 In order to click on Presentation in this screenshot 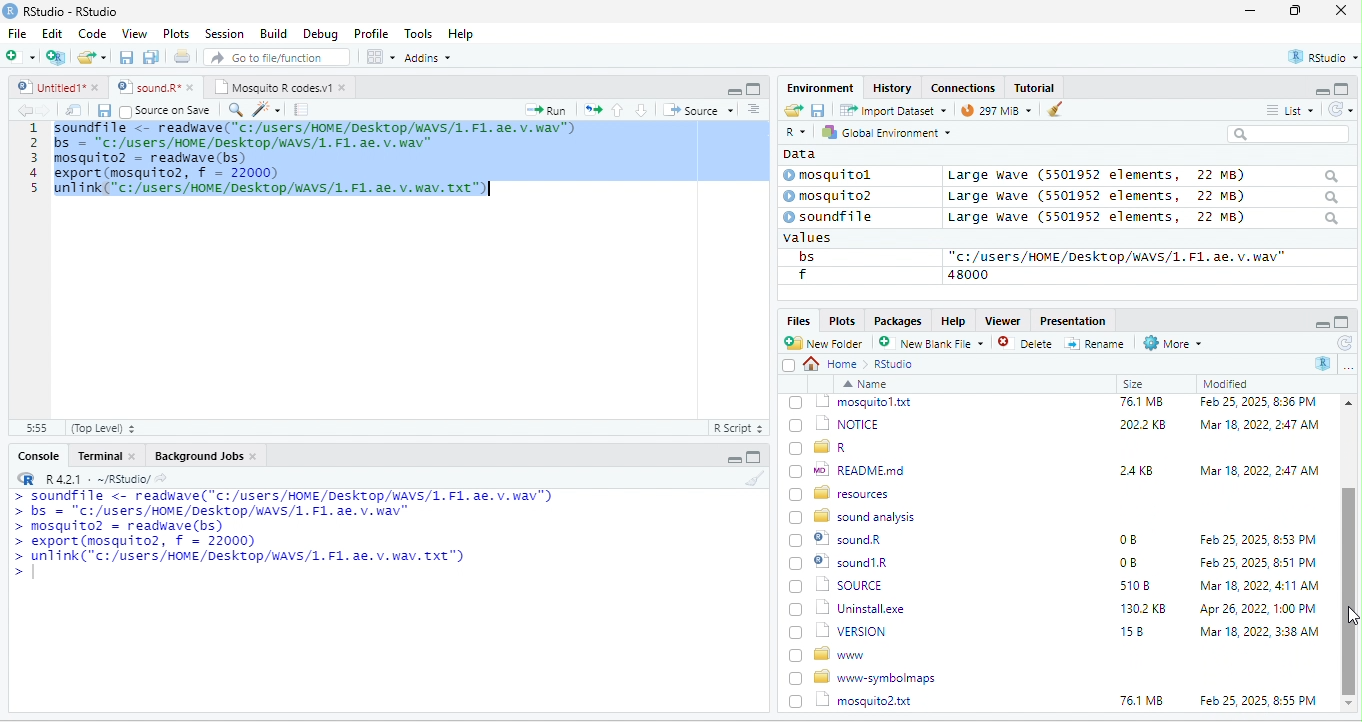, I will do `click(1071, 320)`.